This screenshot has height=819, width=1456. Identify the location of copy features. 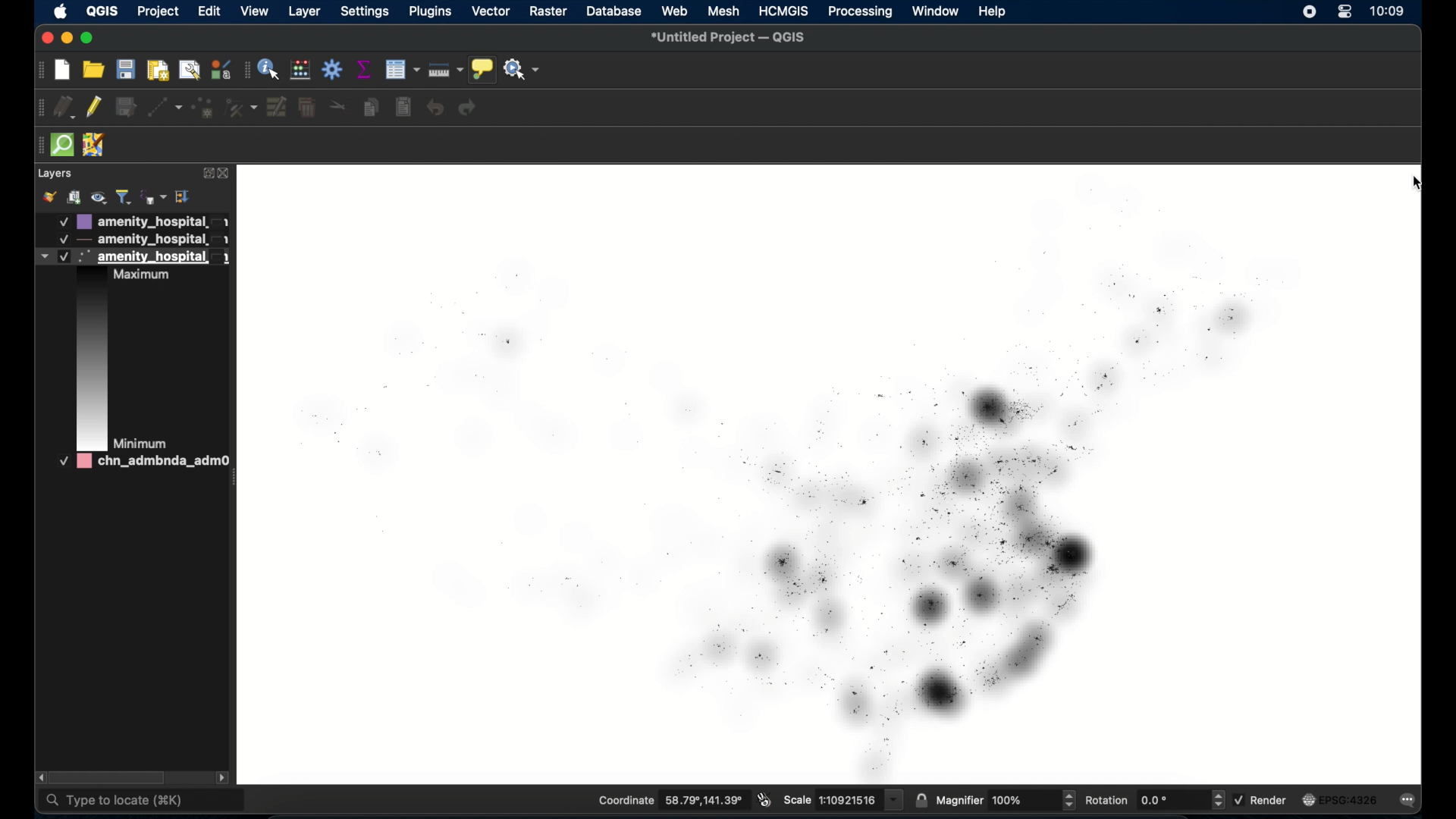
(371, 108).